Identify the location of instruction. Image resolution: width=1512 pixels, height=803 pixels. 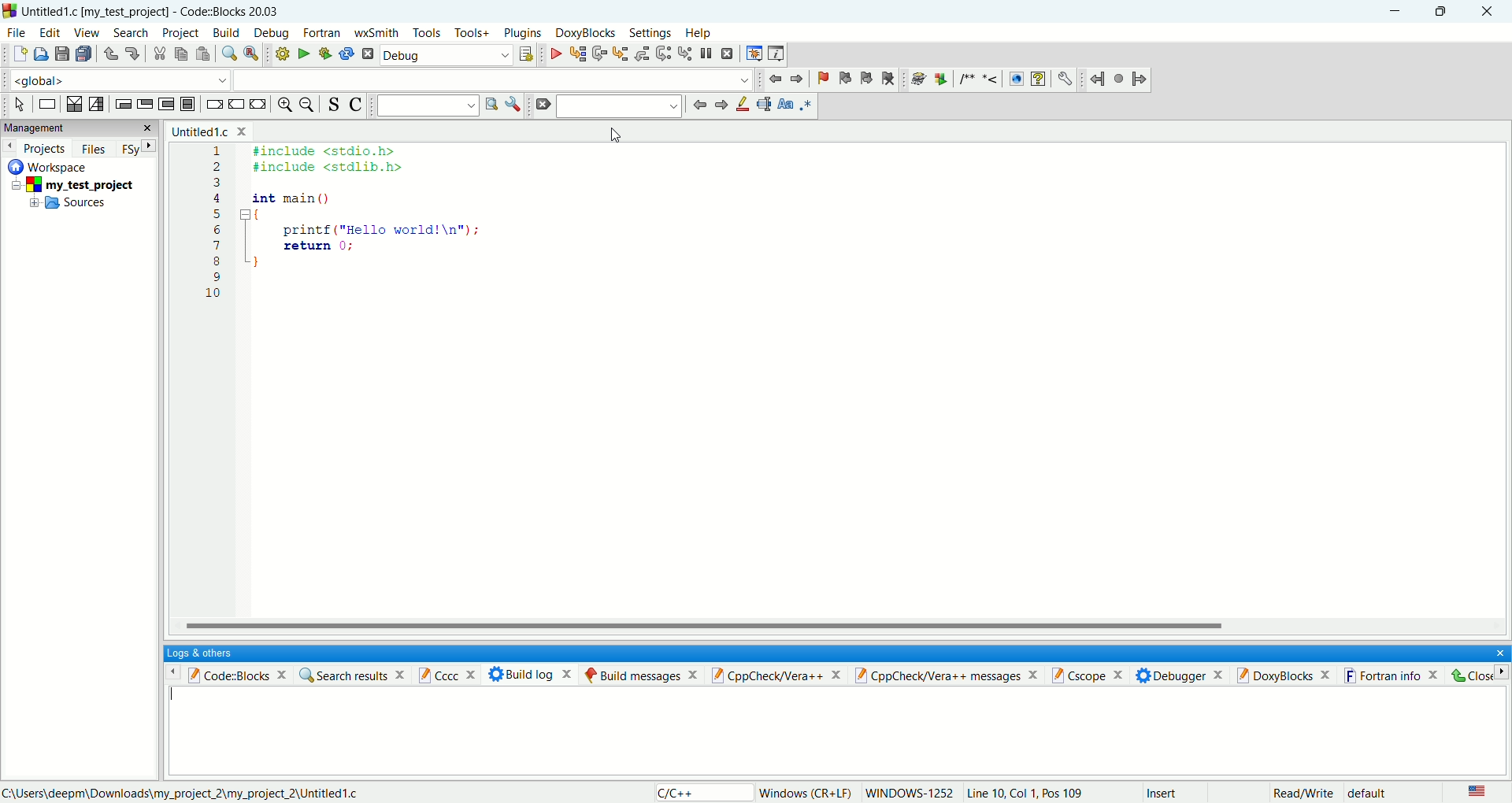
(46, 104).